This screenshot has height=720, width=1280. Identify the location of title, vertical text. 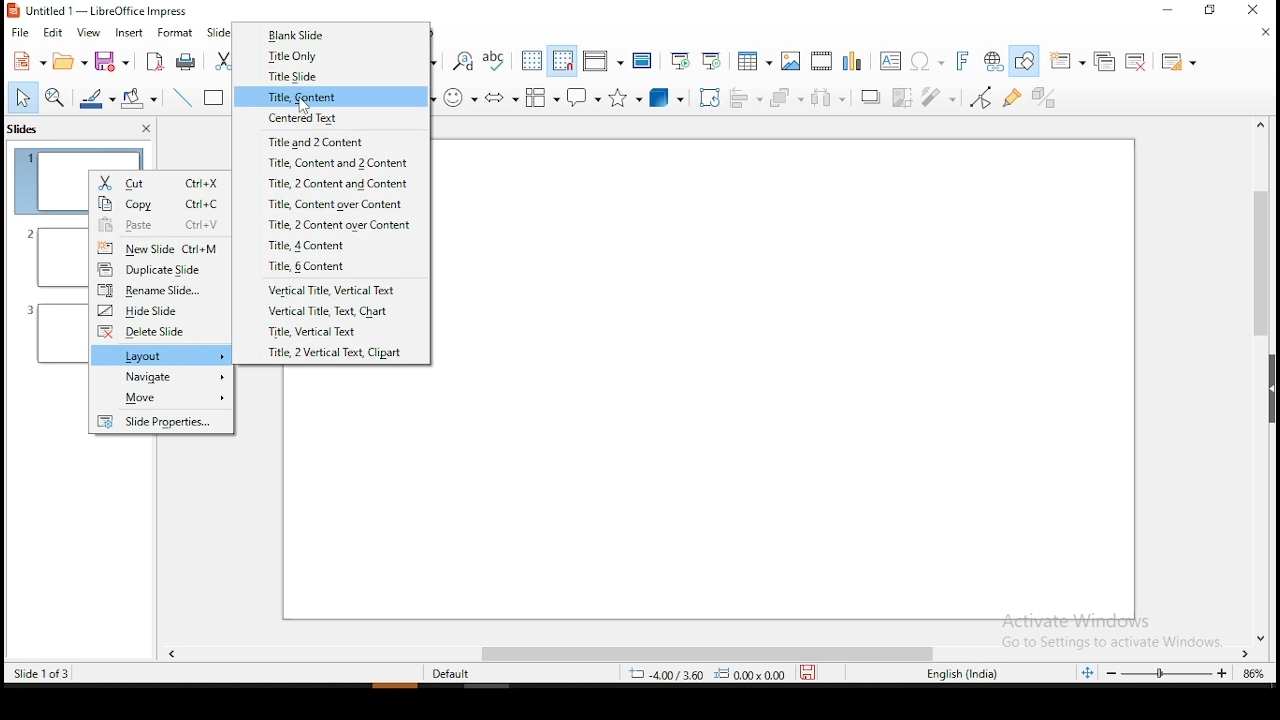
(336, 330).